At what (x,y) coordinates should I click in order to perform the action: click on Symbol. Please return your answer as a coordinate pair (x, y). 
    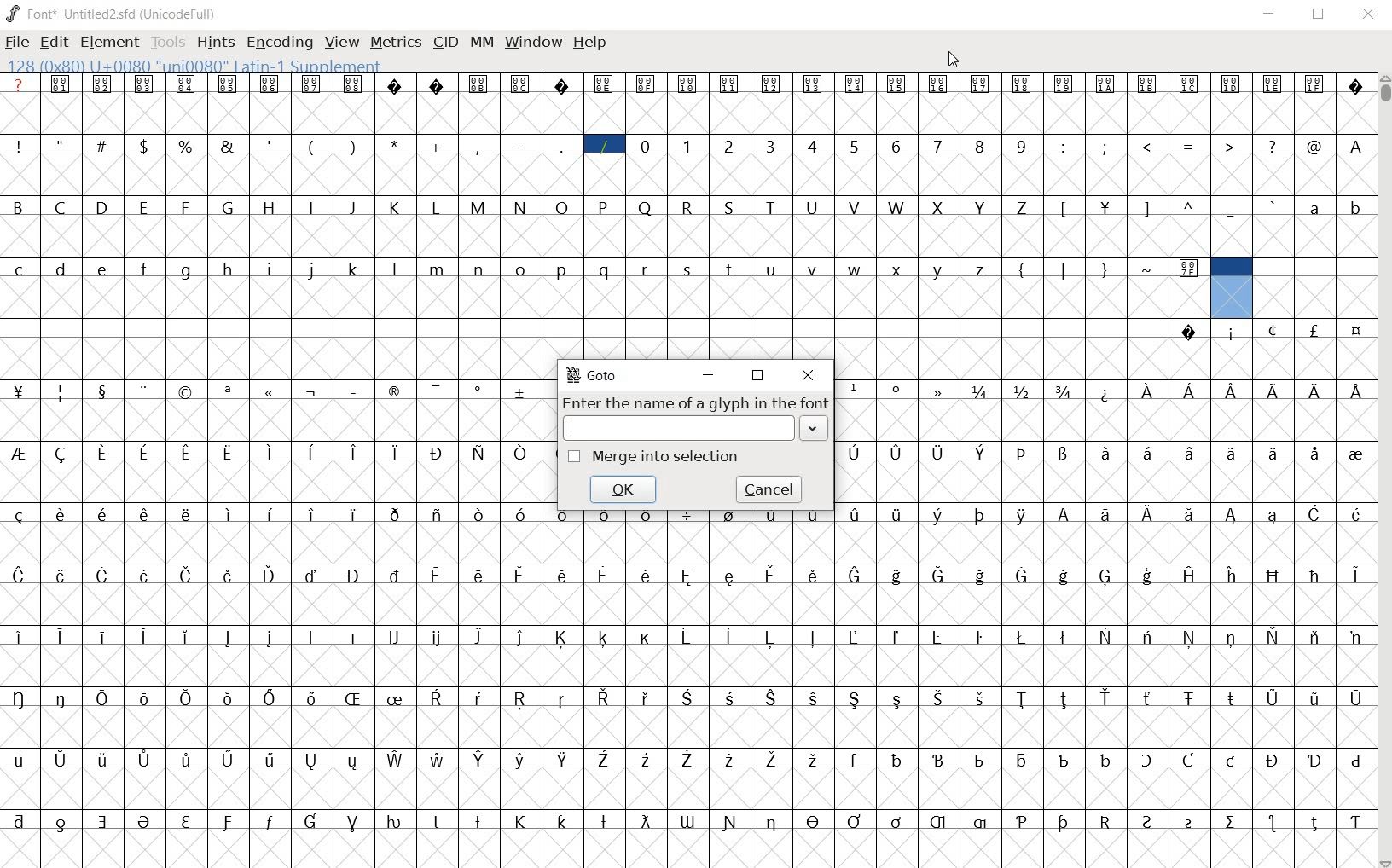
    Looking at the image, I should click on (315, 699).